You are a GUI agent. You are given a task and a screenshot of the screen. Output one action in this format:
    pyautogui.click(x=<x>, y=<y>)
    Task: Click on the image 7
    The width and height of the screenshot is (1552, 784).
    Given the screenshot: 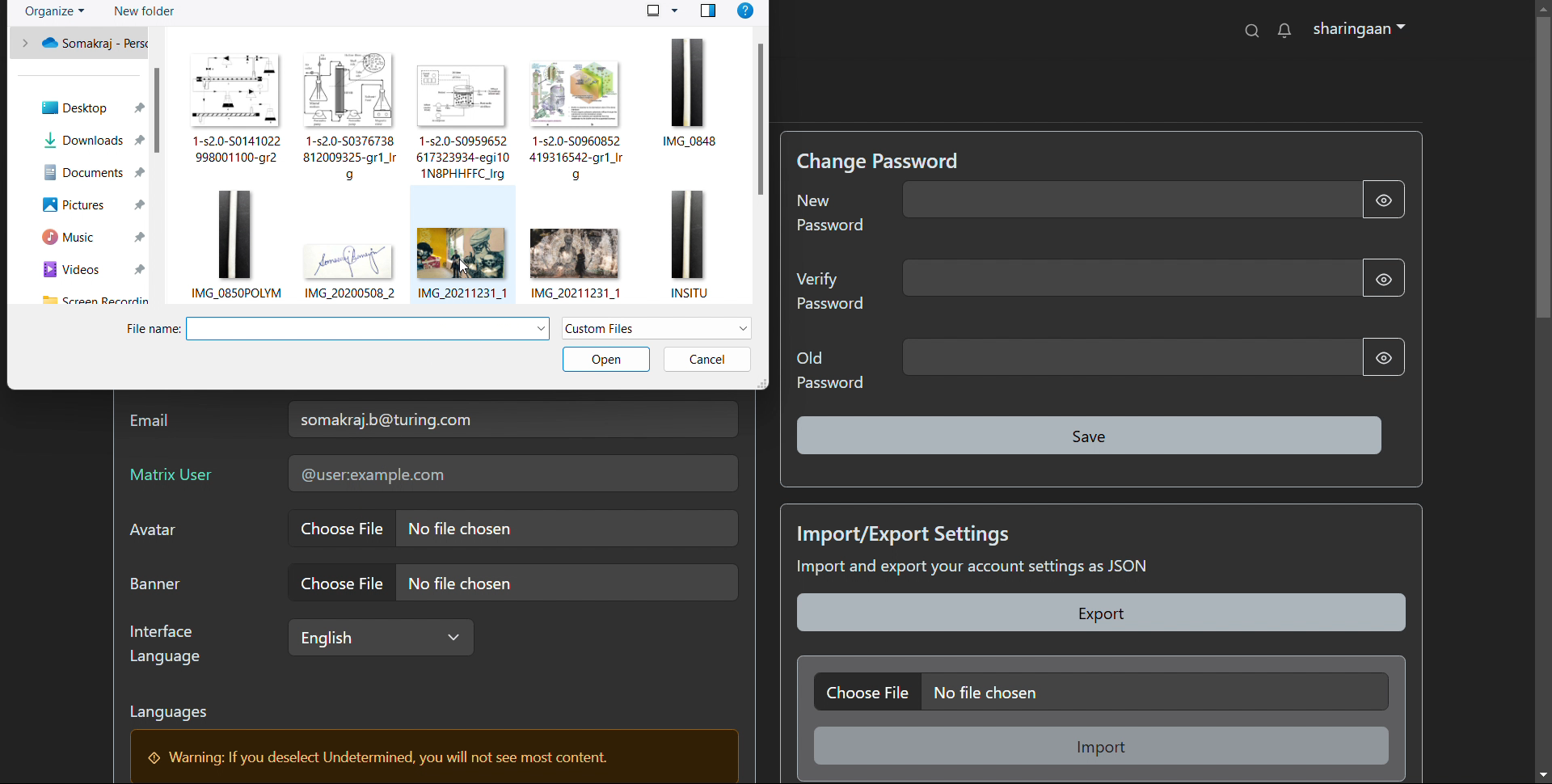 What is the action you would take?
    pyautogui.click(x=349, y=251)
    